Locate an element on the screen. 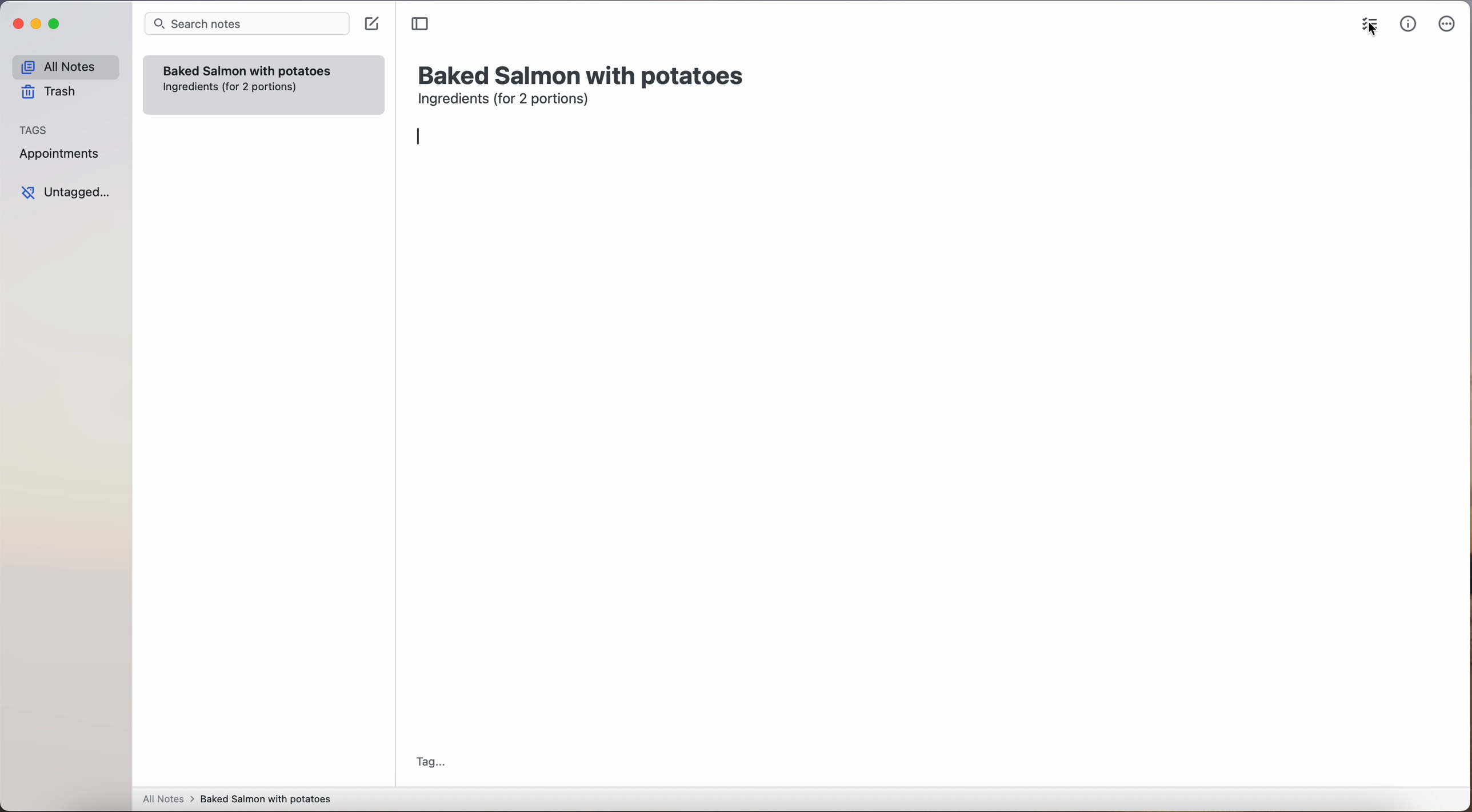 This screenshot has height=812, width=1472. ingredients (for 2 portions) is located at coordinates (507, 101).